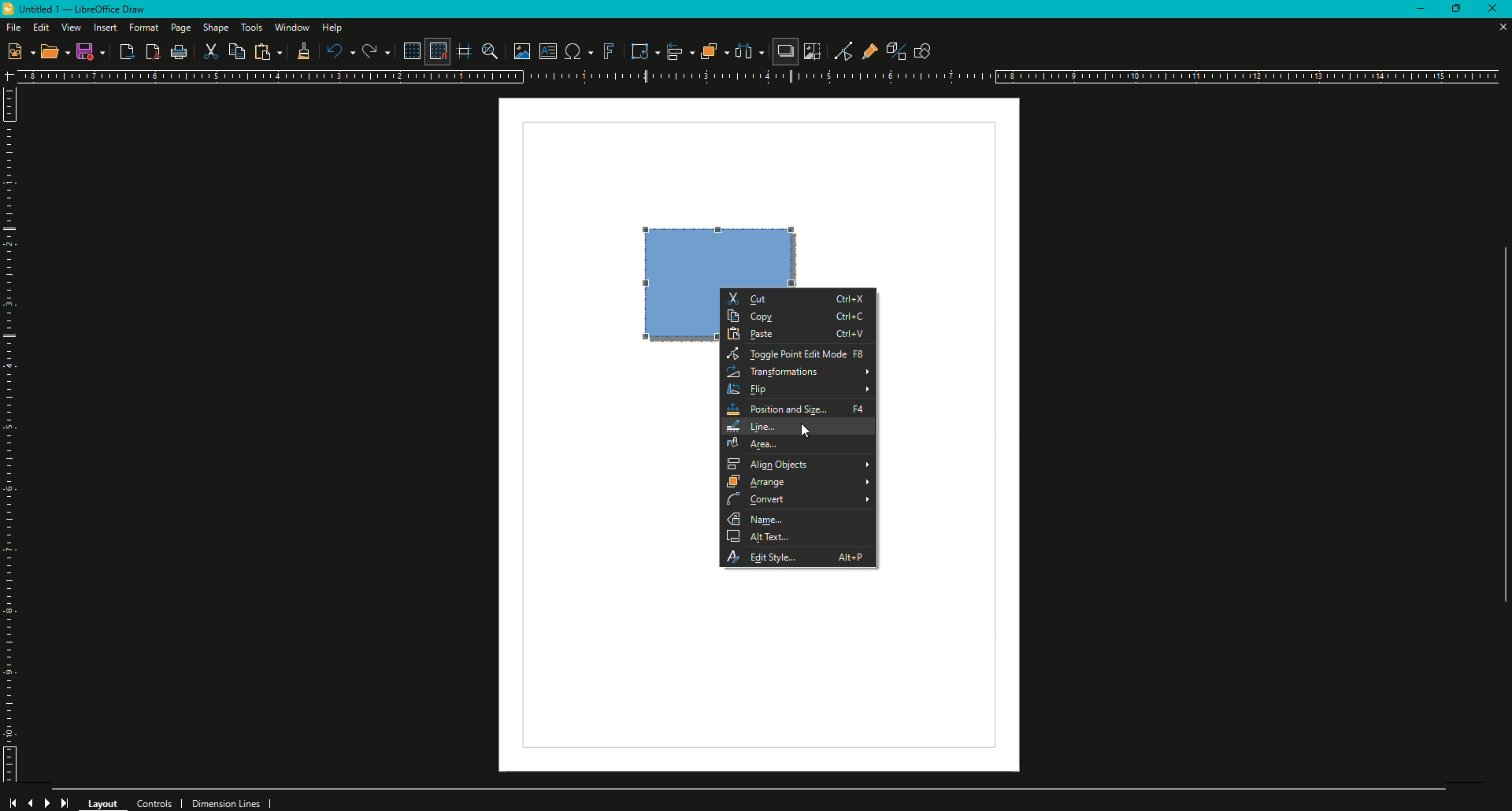  I want to click on Export, so click(126, 53).